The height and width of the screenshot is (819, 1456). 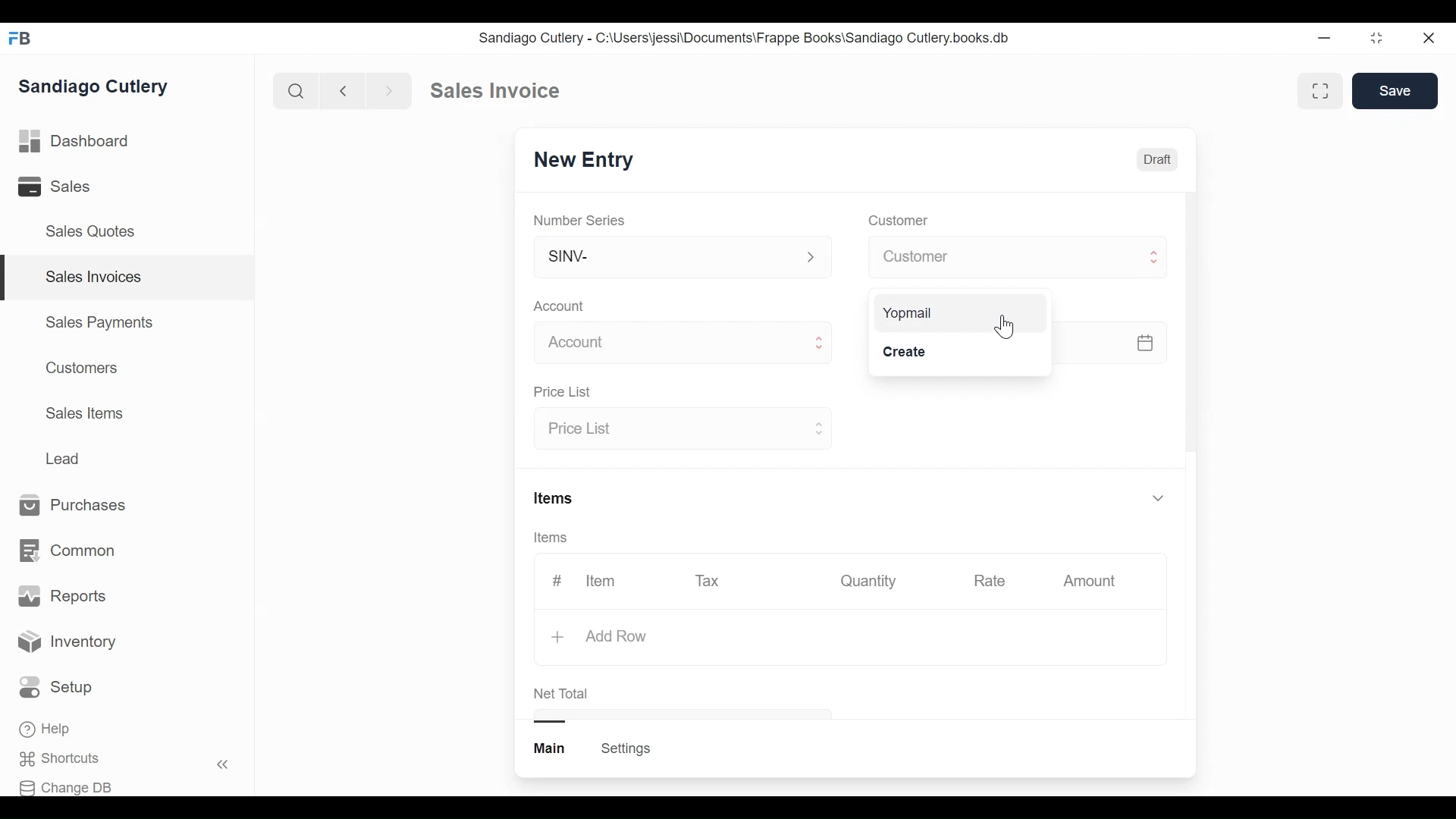 I want to click on Price List, so click(x=566, y=392).